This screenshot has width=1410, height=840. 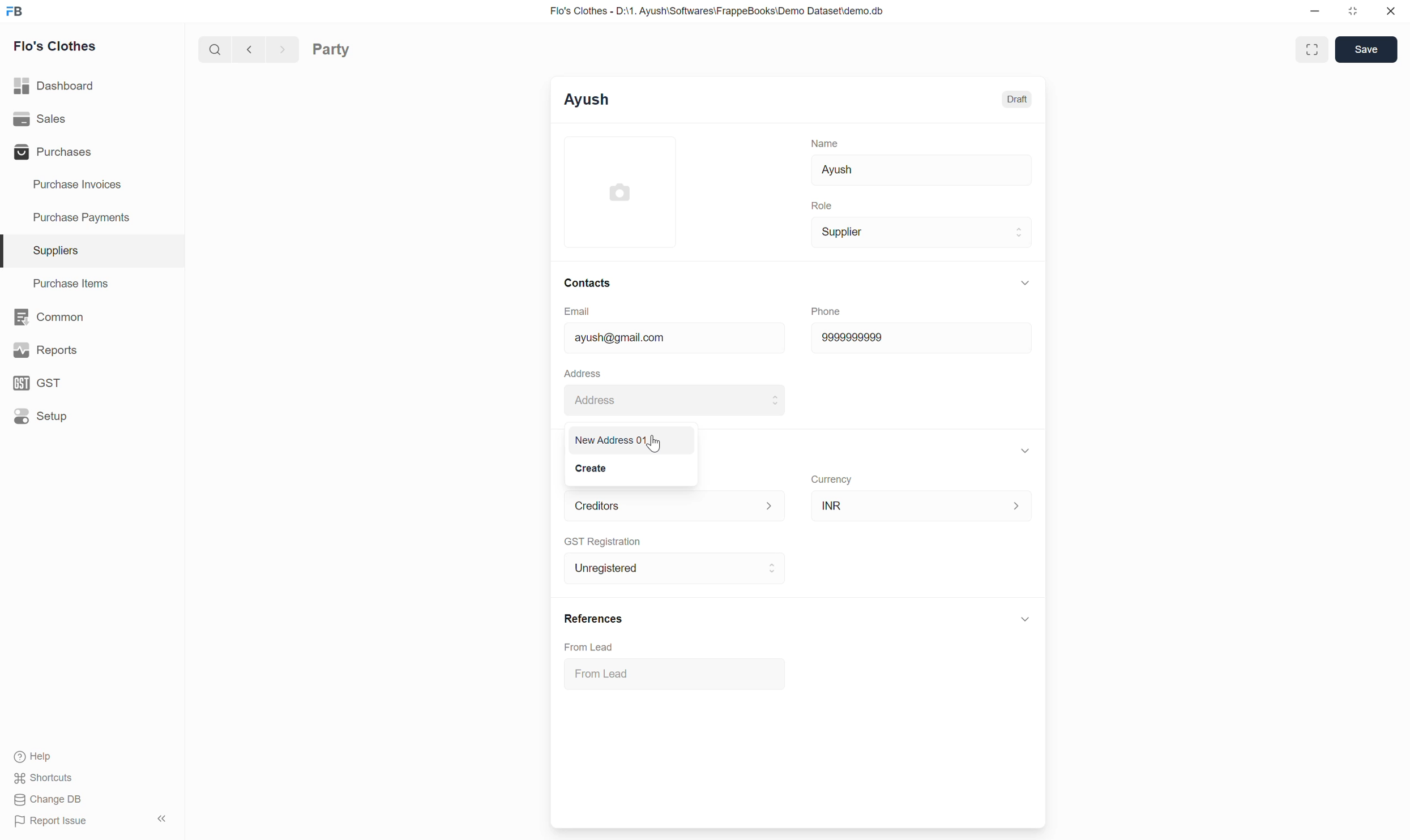 I want to click on Collapse, so click(x=1025, y=283).